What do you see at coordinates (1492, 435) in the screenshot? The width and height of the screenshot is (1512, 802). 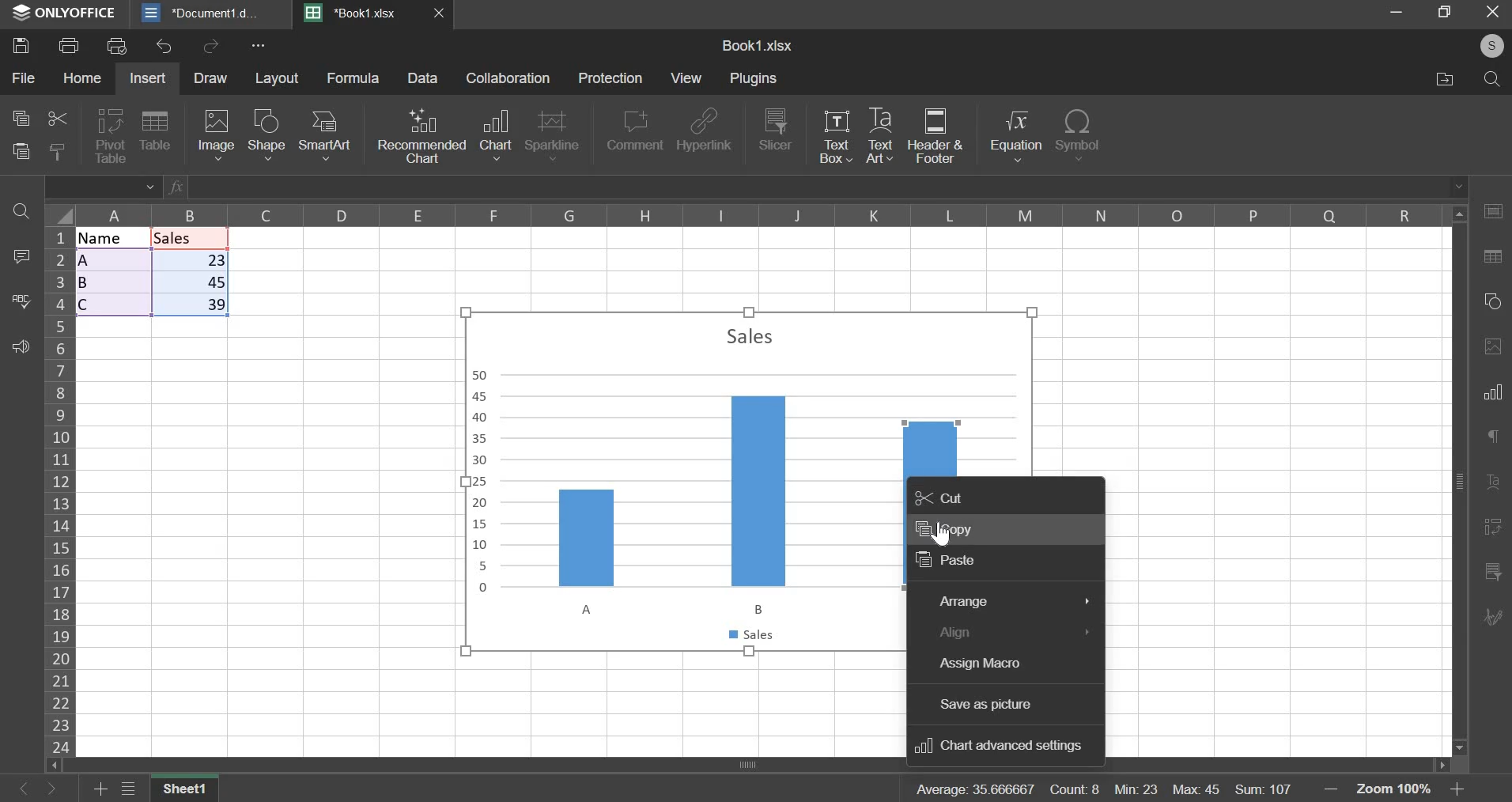 I see `Comment Tool` at bounding box center [1492, 435].